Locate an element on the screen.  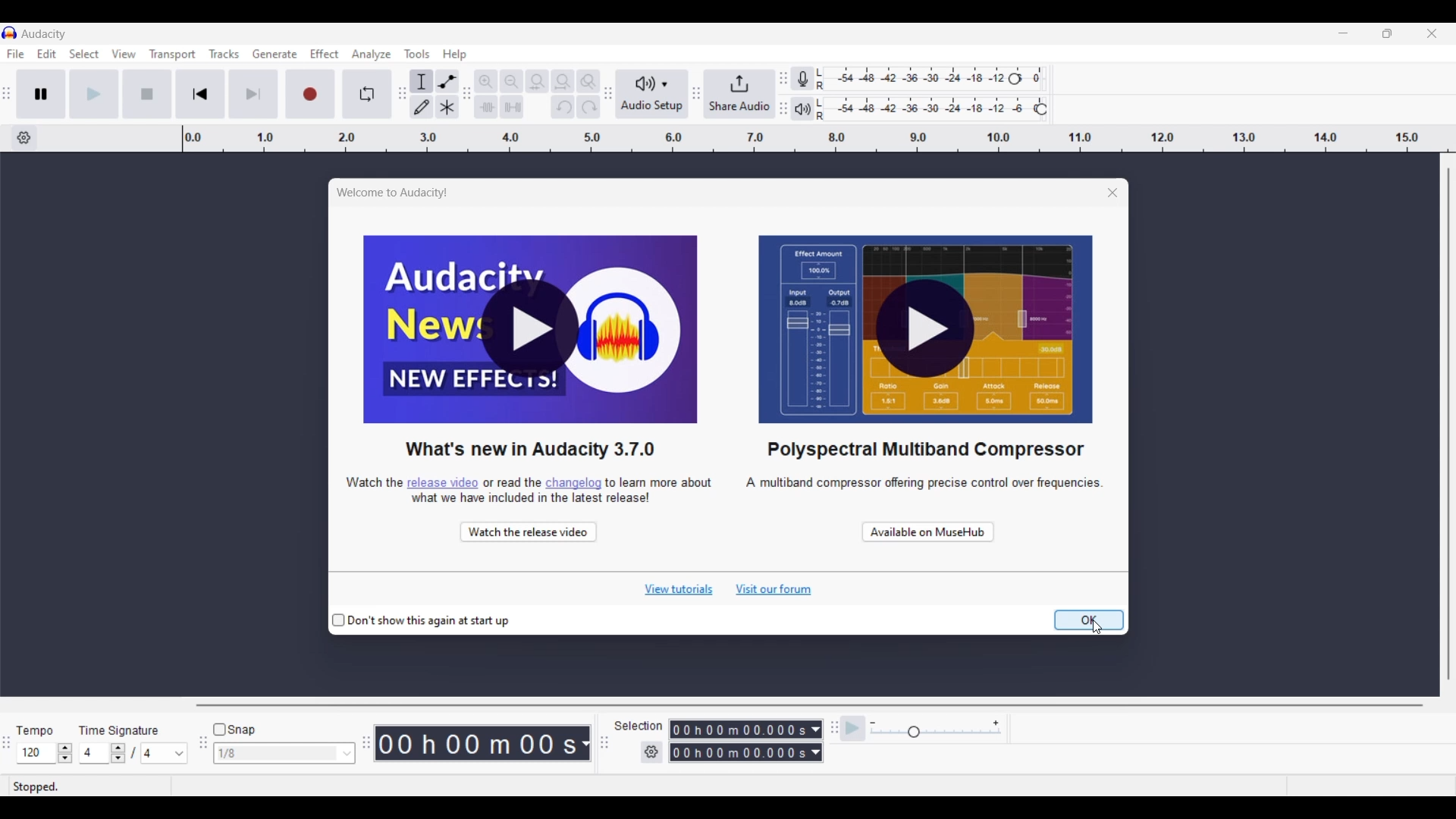
toolbar is located at coordinates (607, 96).